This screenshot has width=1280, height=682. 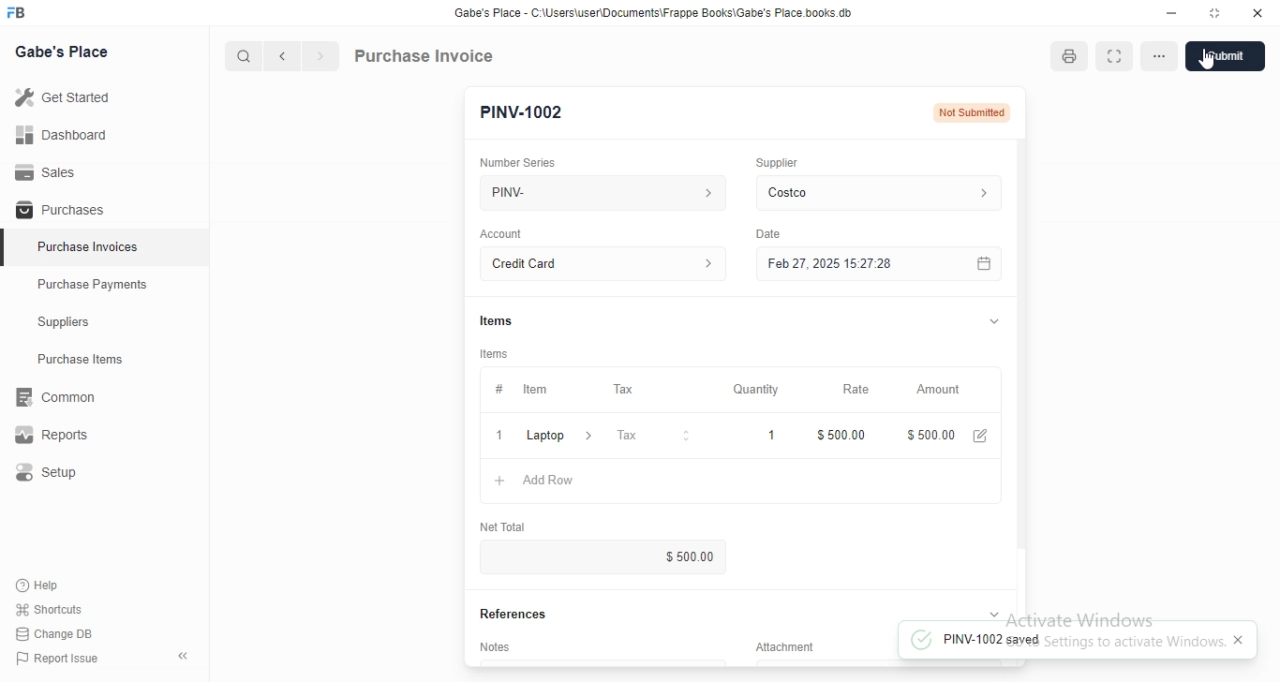 What do you see at coordinates (930, 435) in the screenshot?
I see `$ 500.00` at bounding box center [930, 435].